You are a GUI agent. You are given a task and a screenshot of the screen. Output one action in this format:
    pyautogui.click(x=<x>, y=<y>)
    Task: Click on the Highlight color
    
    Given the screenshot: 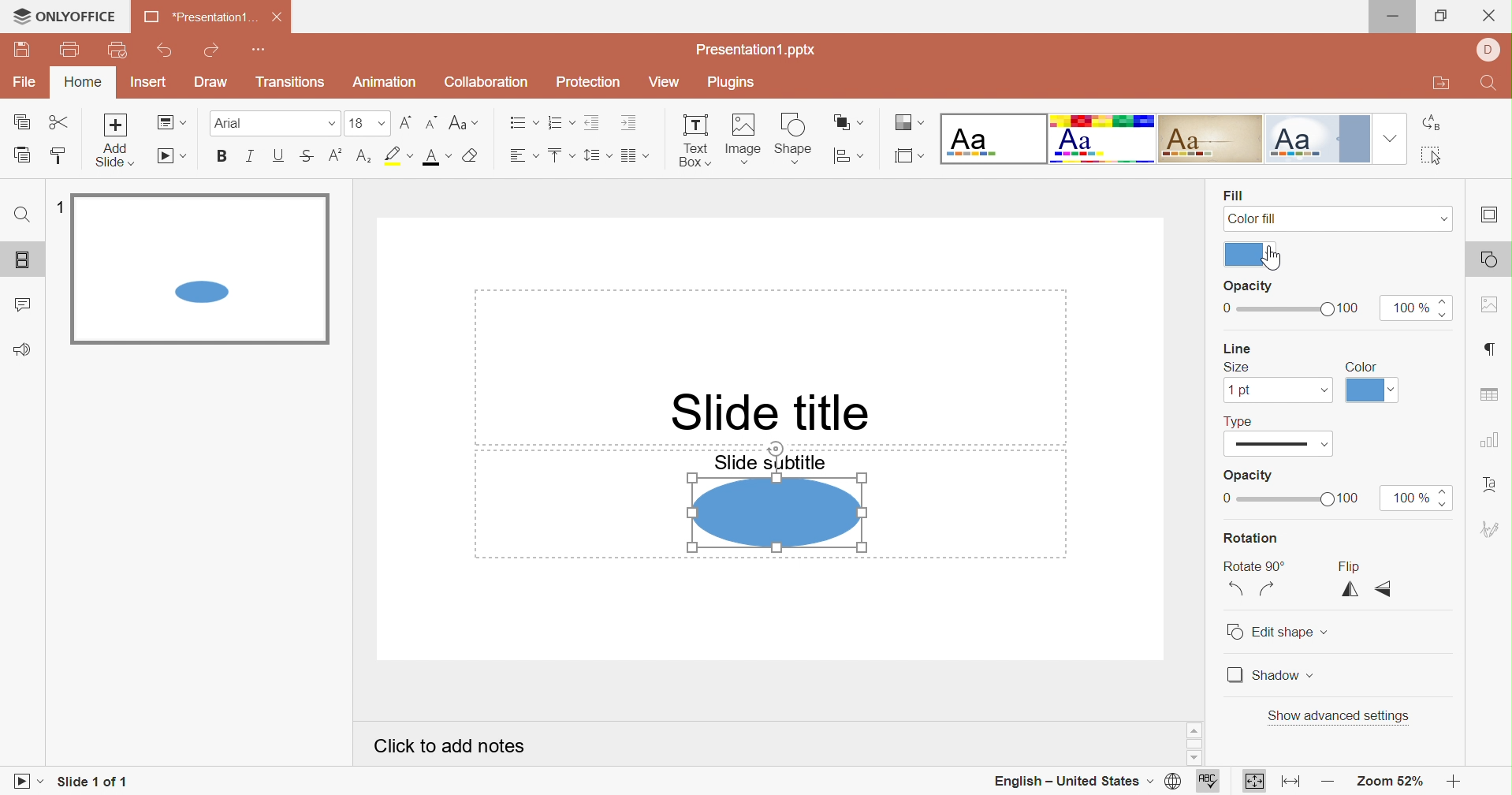 What is the action you would take?
    pyautogui.click(x=396, y=155)
    